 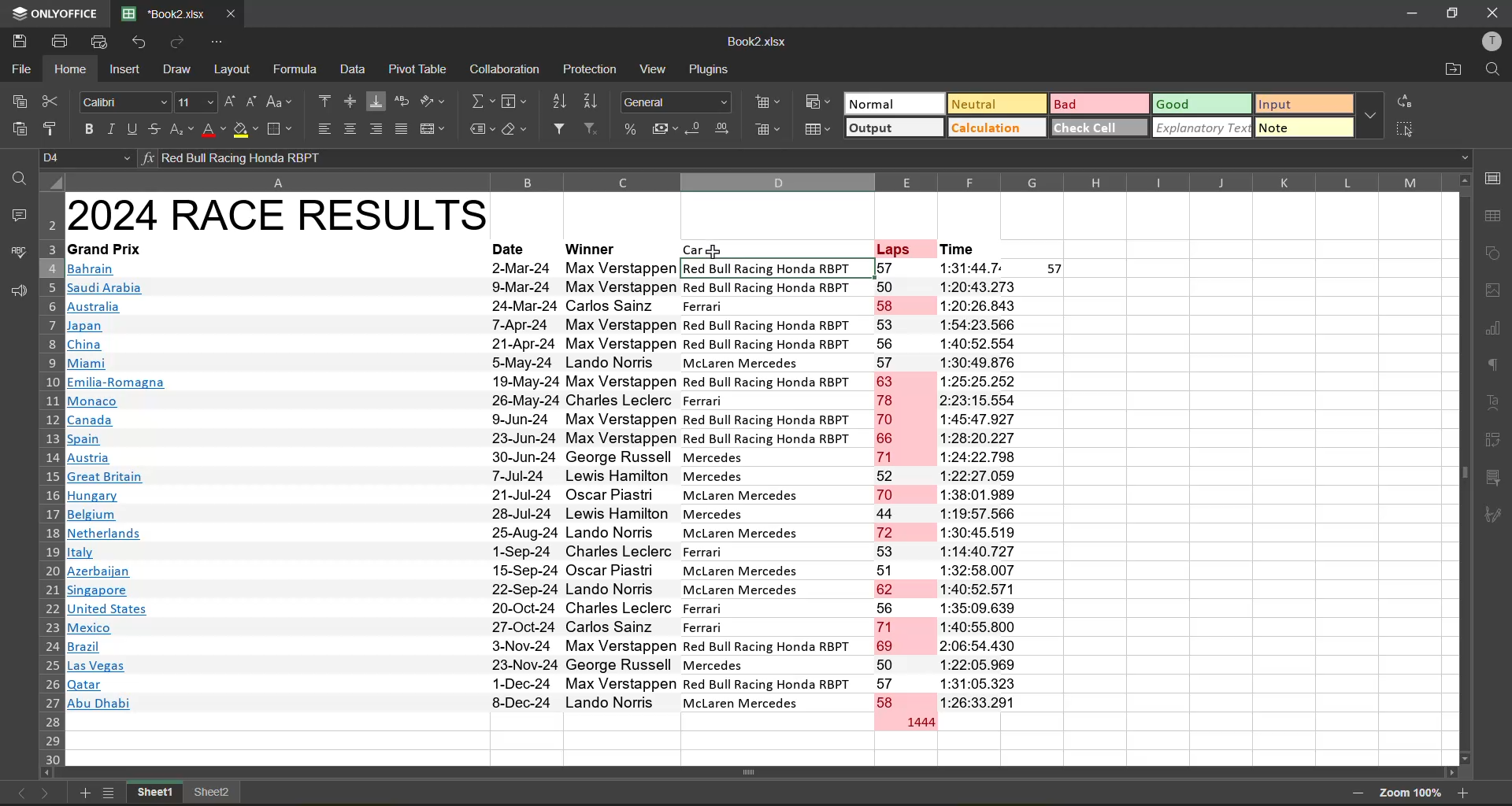 I want to click on calculation, so click(x=998, y=128).